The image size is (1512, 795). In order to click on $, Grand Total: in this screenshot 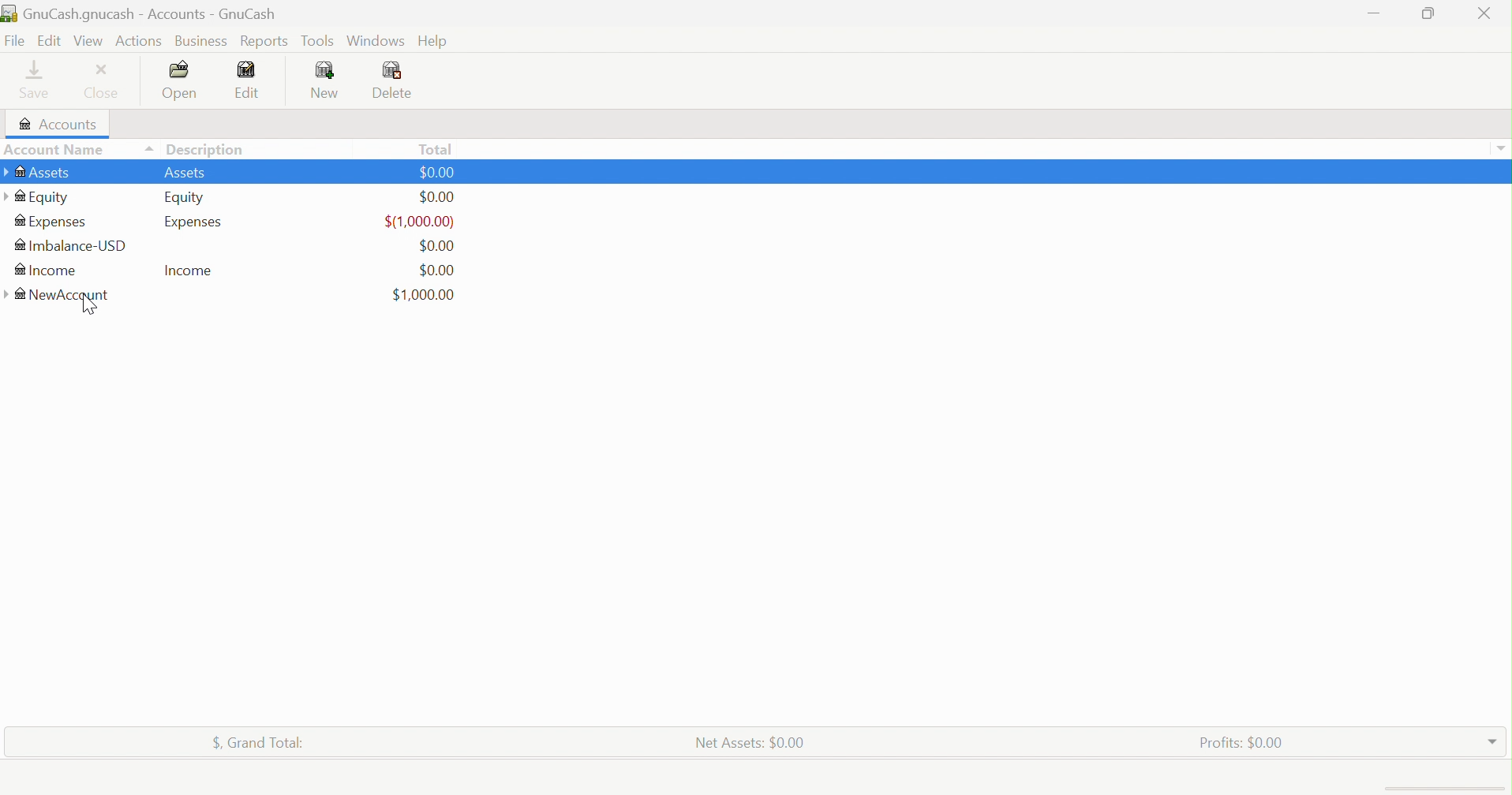, I will do `click(264, 742)`.